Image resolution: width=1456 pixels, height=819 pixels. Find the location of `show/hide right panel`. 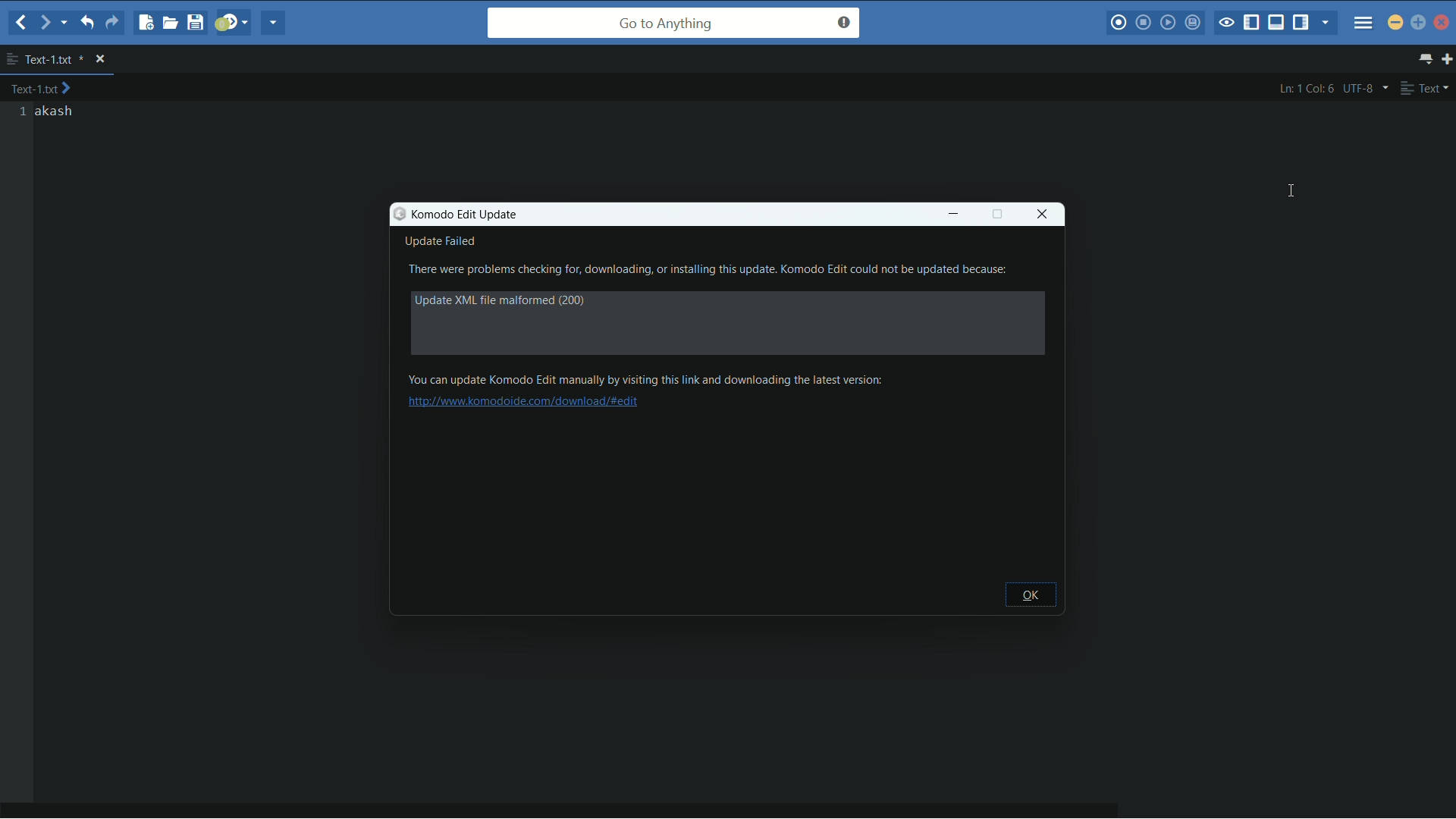

show/hide right panel is located at coordinates (1304, 23).